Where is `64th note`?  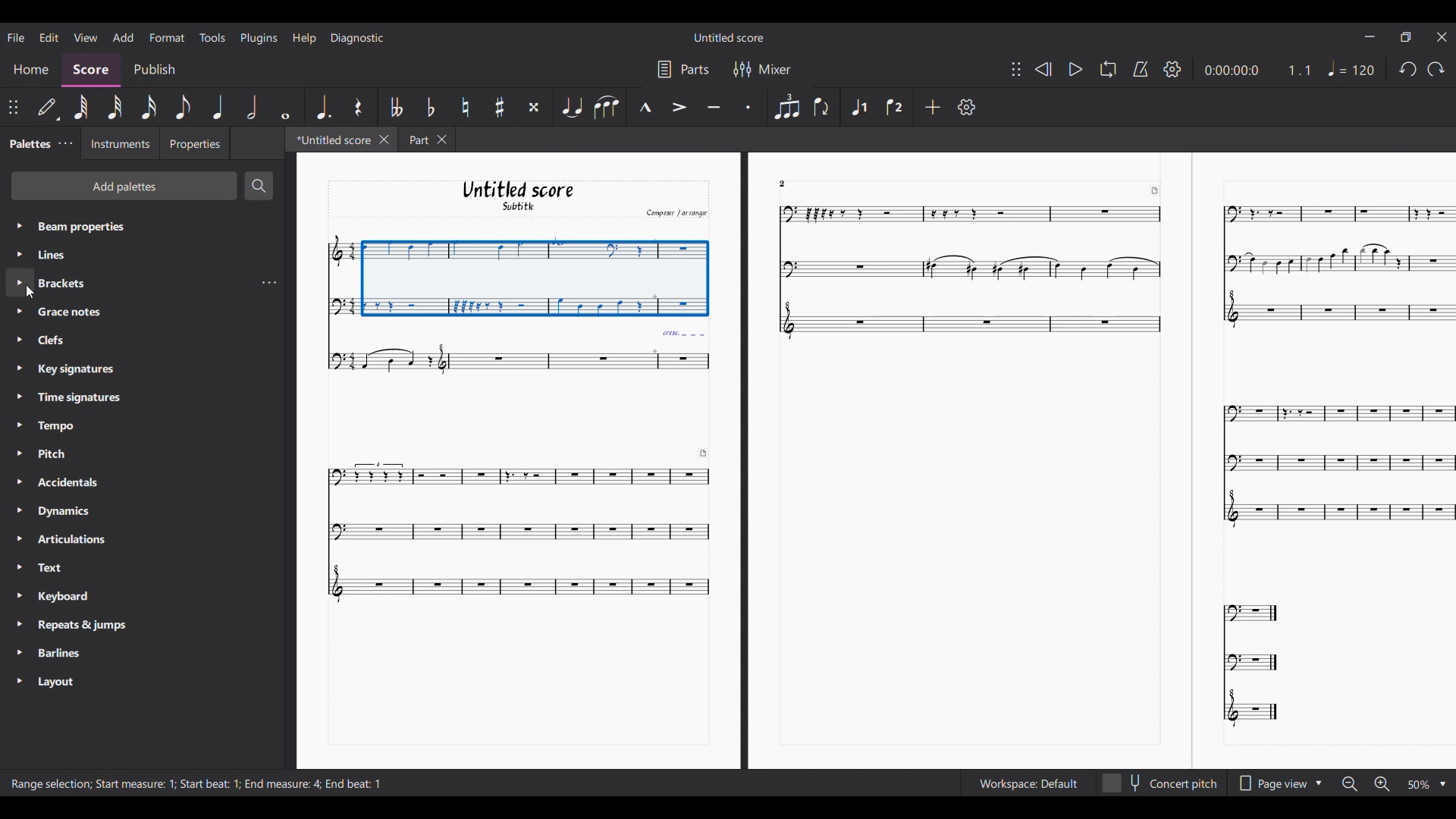 64th note is located at coordinates (83, 108).